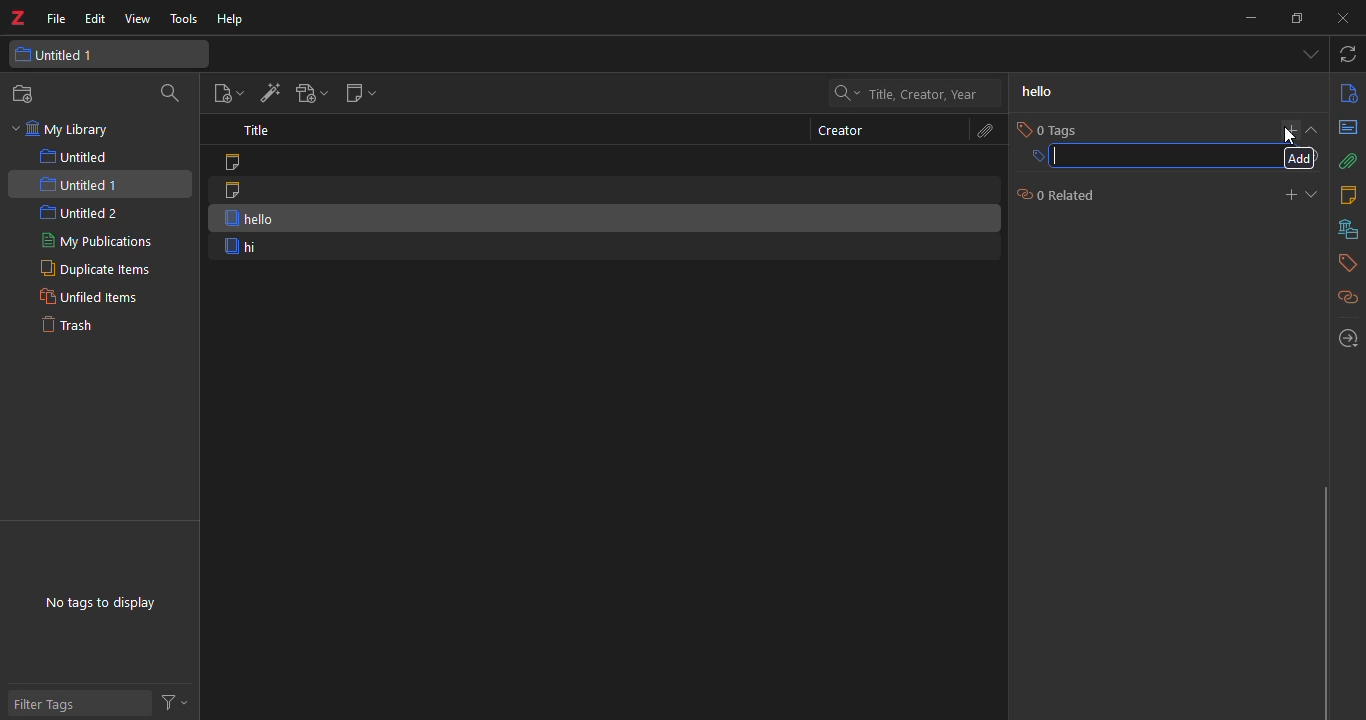 Image resolution: width=1366 pixels, height=720 pixels. Describe the element at coordinates (67, 130) in the screenshot. I see `my library` at that location.